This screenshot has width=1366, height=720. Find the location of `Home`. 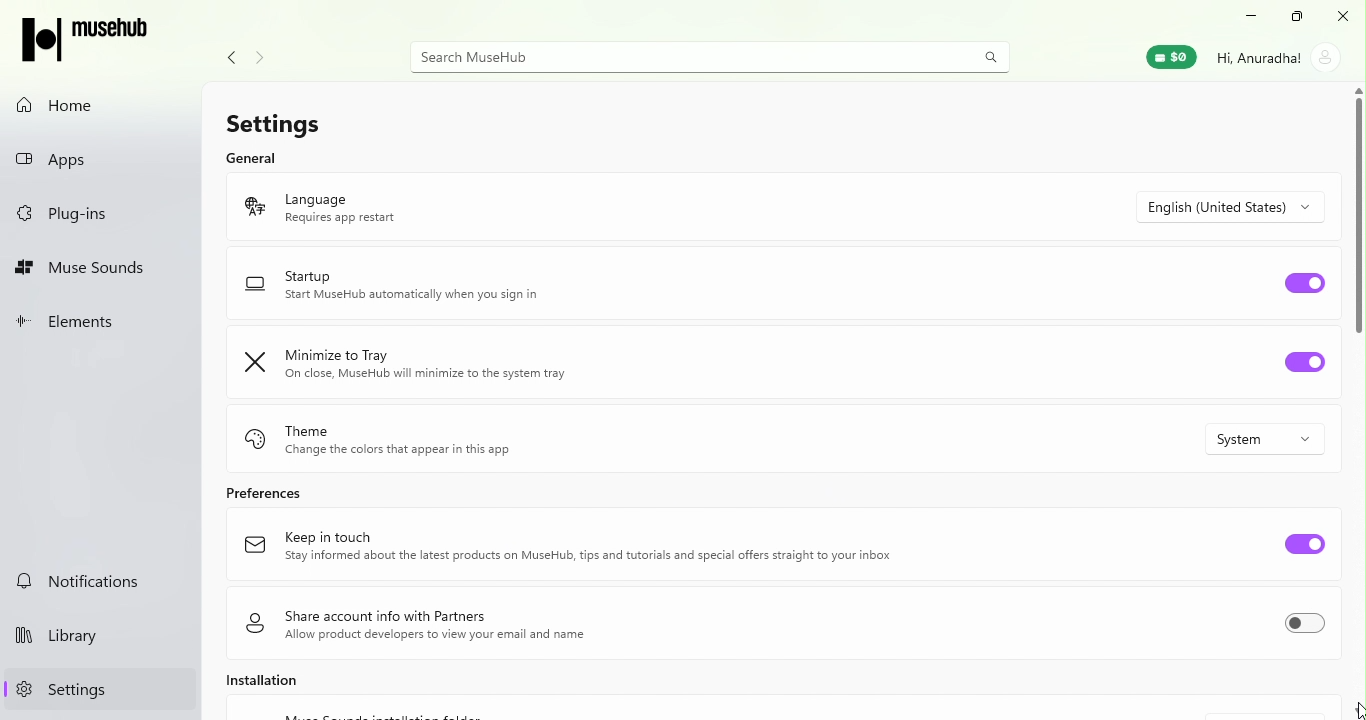

Home is located at coordinates (100, 106).